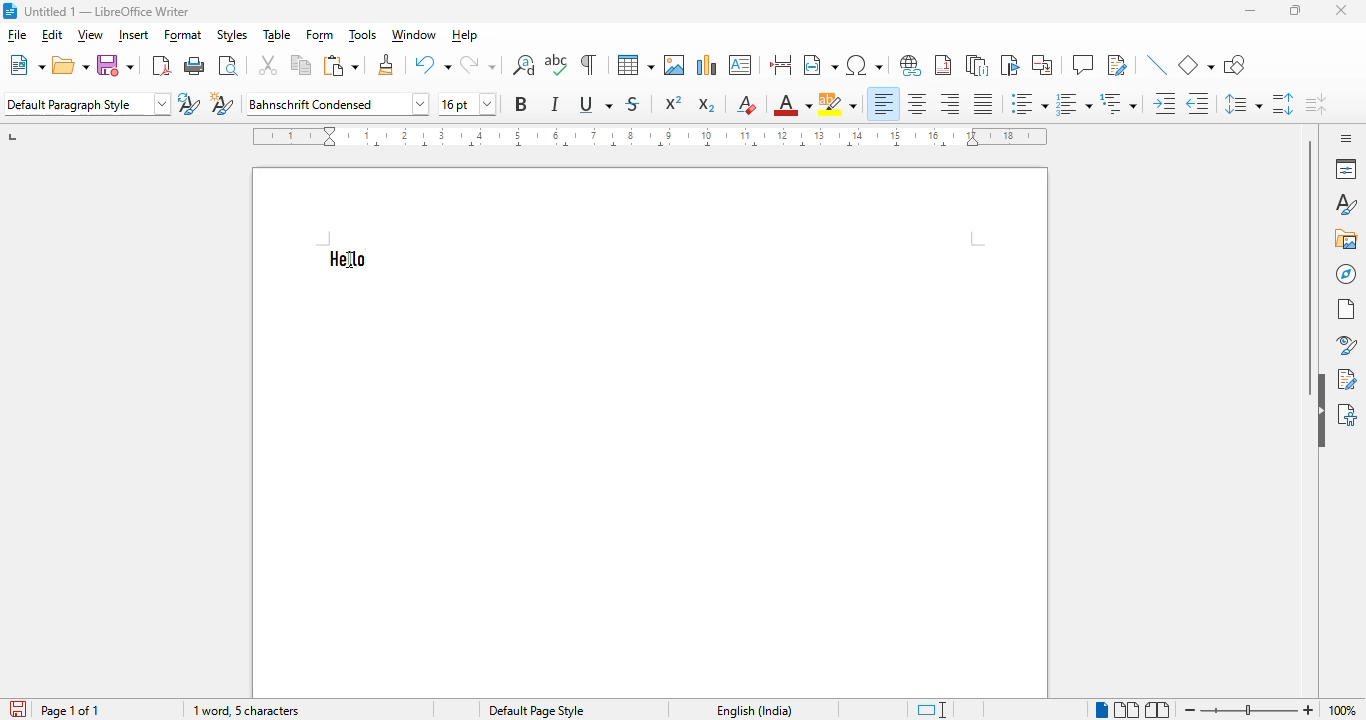 The image size is (1366, 720). Describe the element at coordinates (521, 104) in the screenshot. I see `bold` at that location.